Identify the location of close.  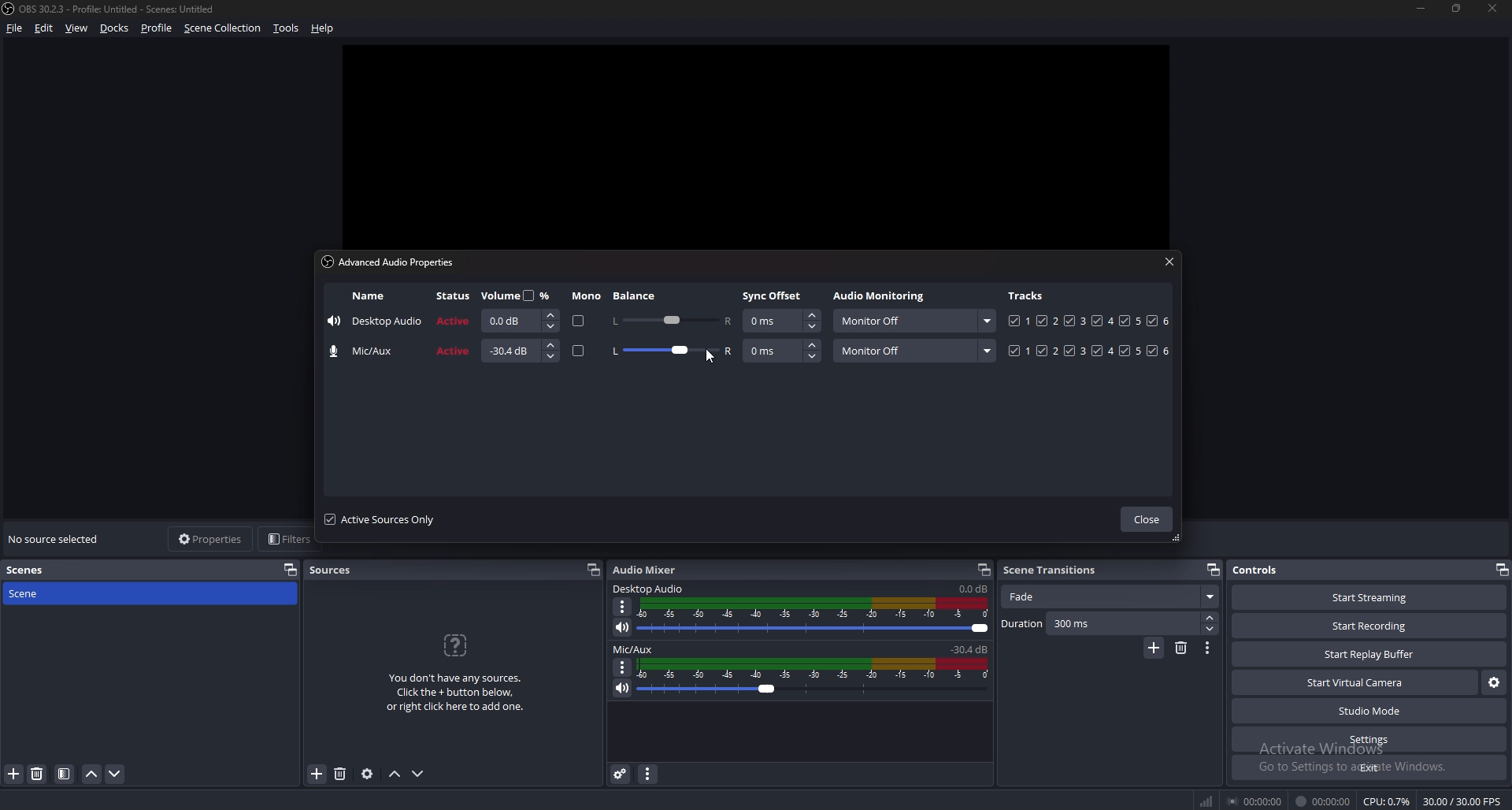
(1149, 520).